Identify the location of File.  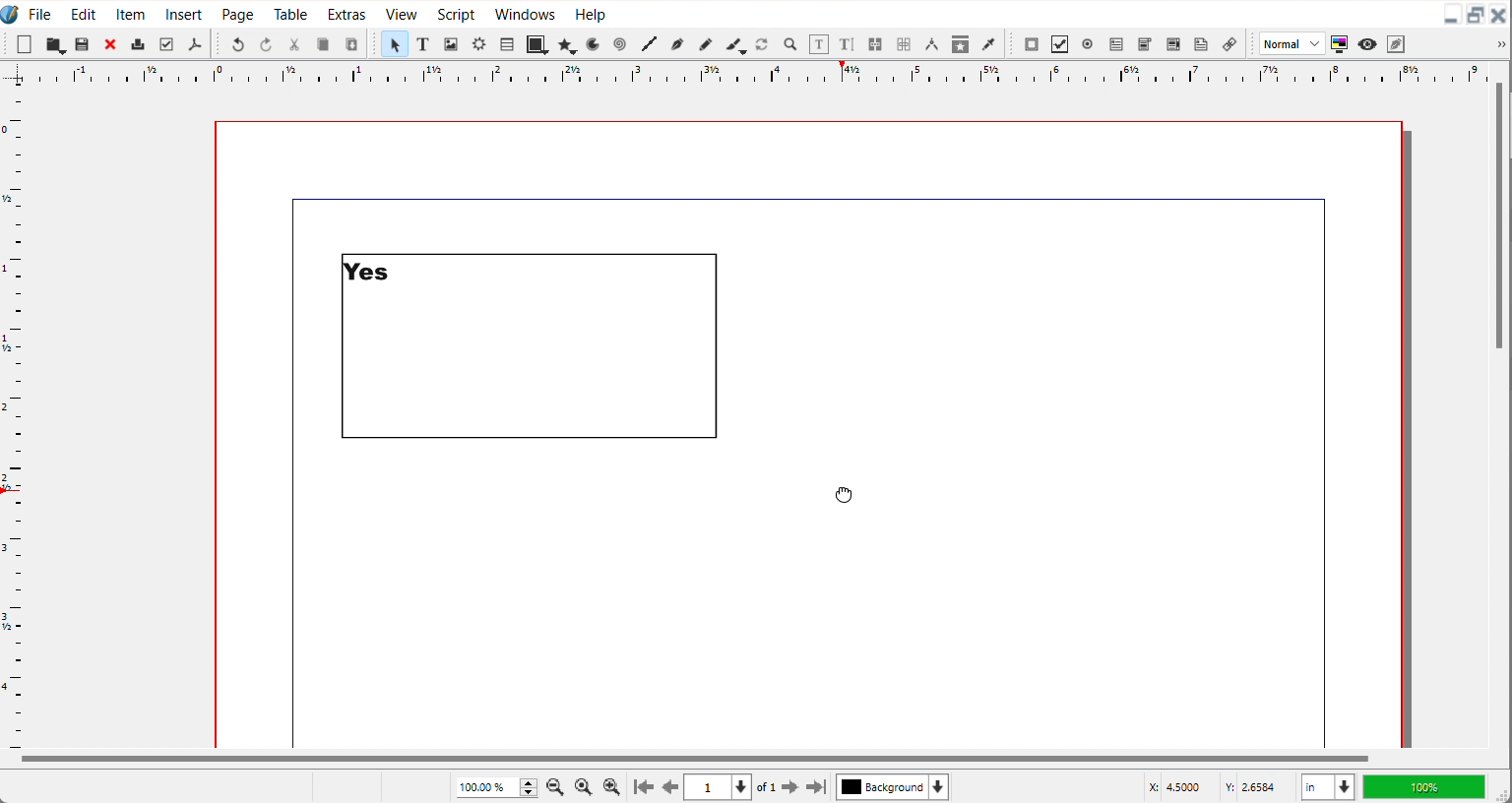
(40, 13).